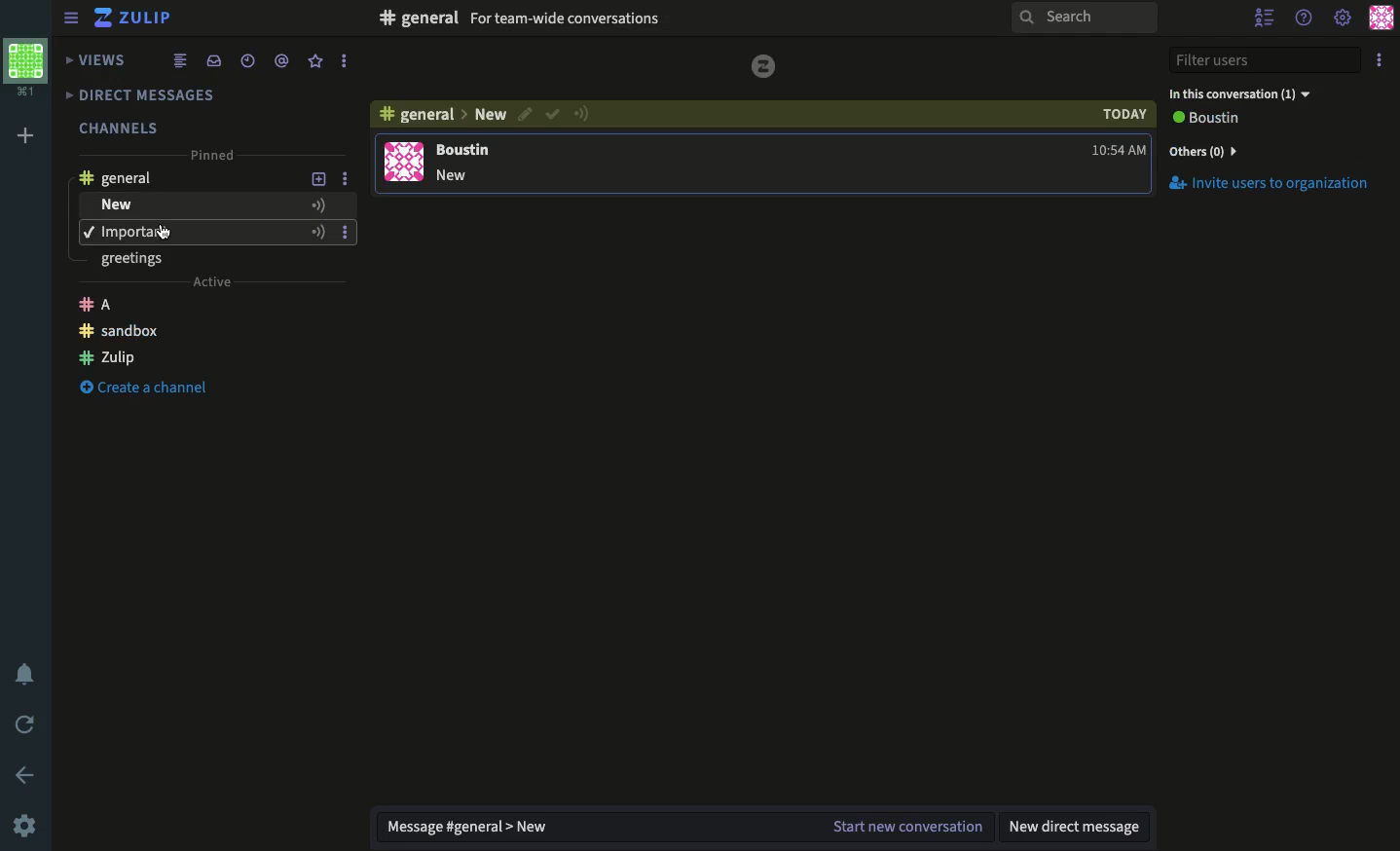 This screenshot has width=1400, height=851. What do you see at coordinates (768, 66) in the screenshot?
I see `logo` at bounding box center [768, 66].